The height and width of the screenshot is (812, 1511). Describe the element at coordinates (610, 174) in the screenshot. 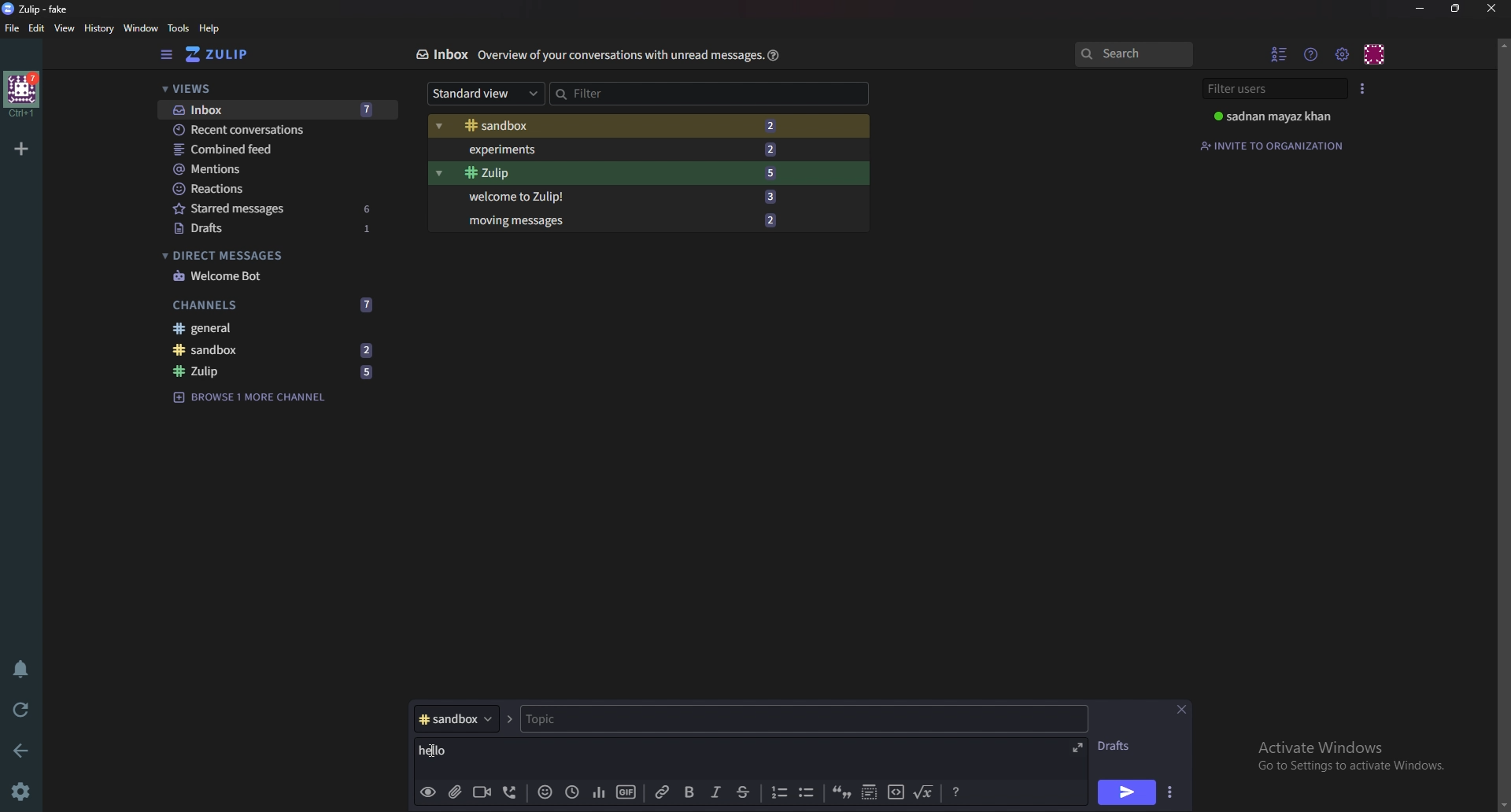

I see `zulip 5` at that location.